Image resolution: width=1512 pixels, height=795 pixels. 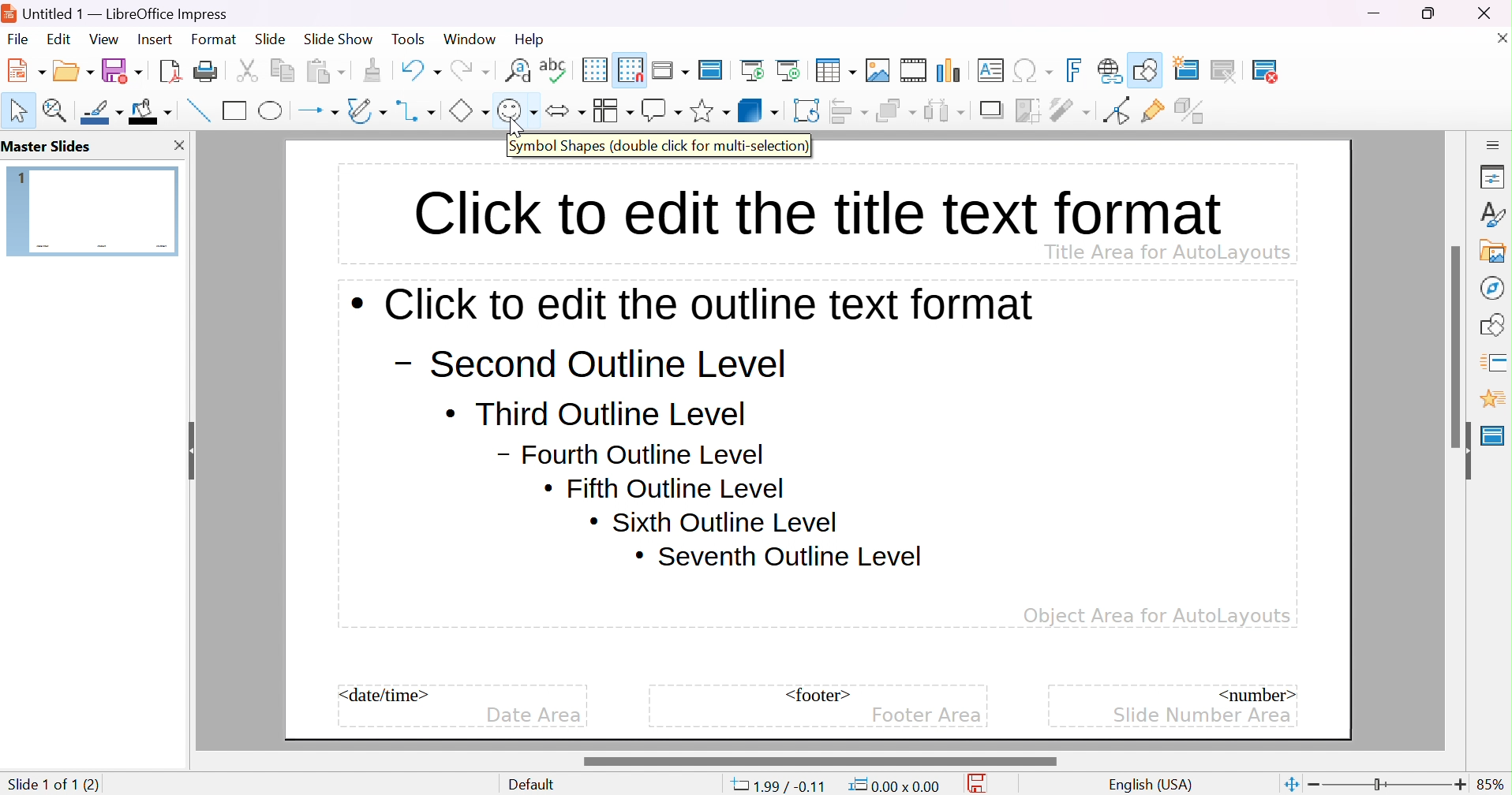 What do you see at coordinates (896, 110) in the screenshot?
I see `arrange` at bounding box center [896, 110].